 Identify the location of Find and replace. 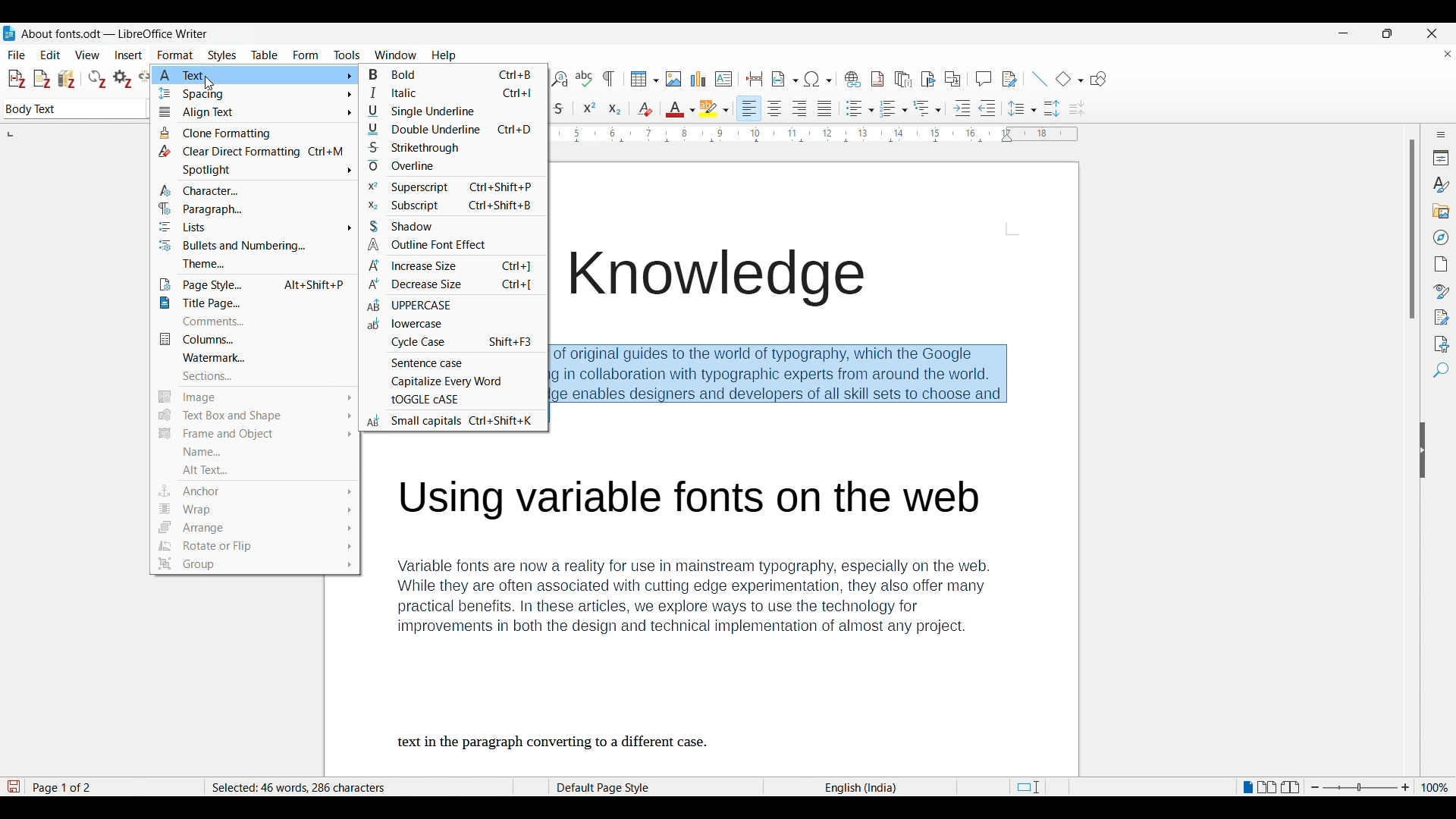
(559, 79).